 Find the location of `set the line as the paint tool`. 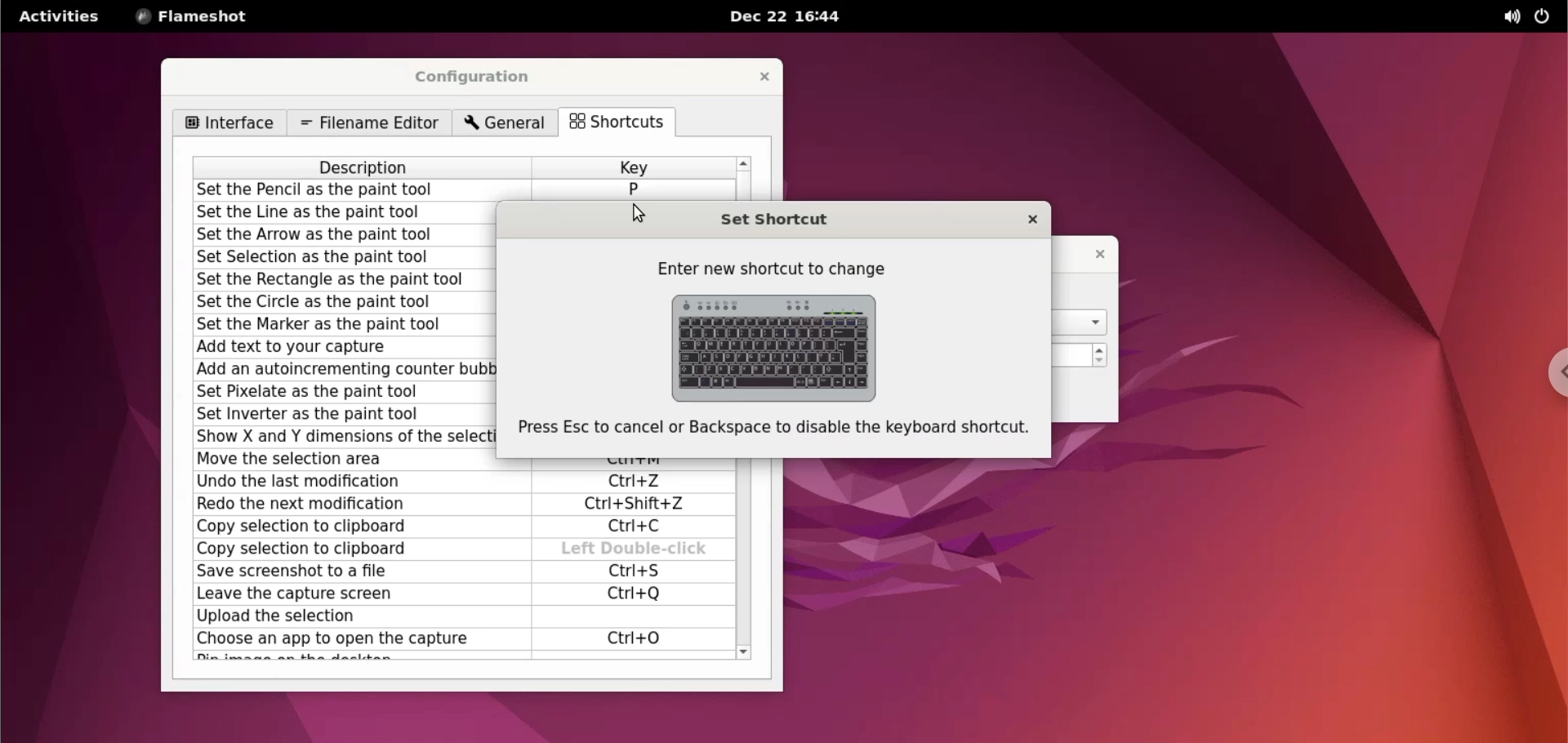

set the line as the paint tool is located at coordinates (347, 213).